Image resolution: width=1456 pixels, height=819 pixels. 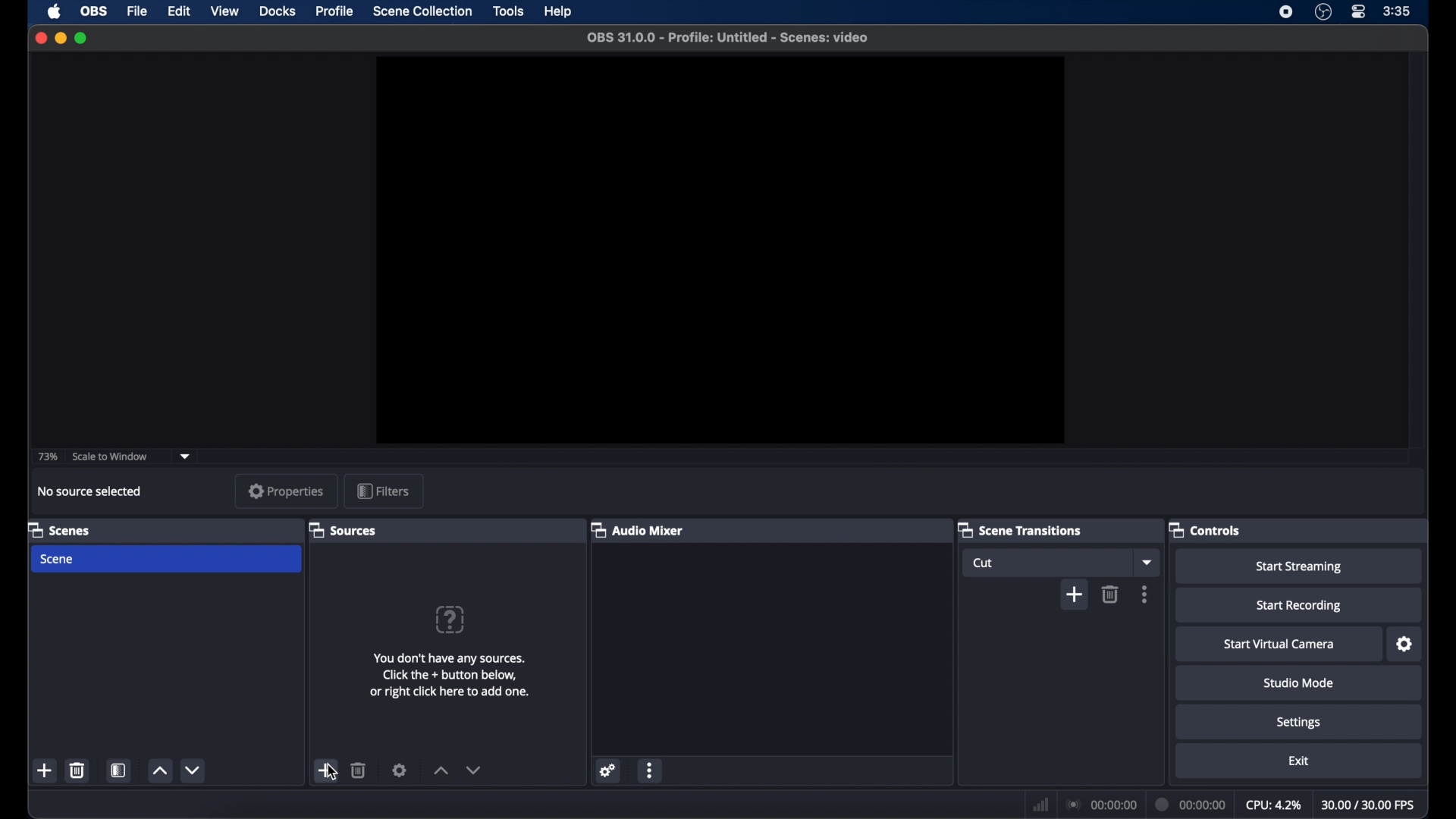 What do you see at coordinates (474, 770) in the screenshot?
I see `decrement` at bounding box center [474, 770].